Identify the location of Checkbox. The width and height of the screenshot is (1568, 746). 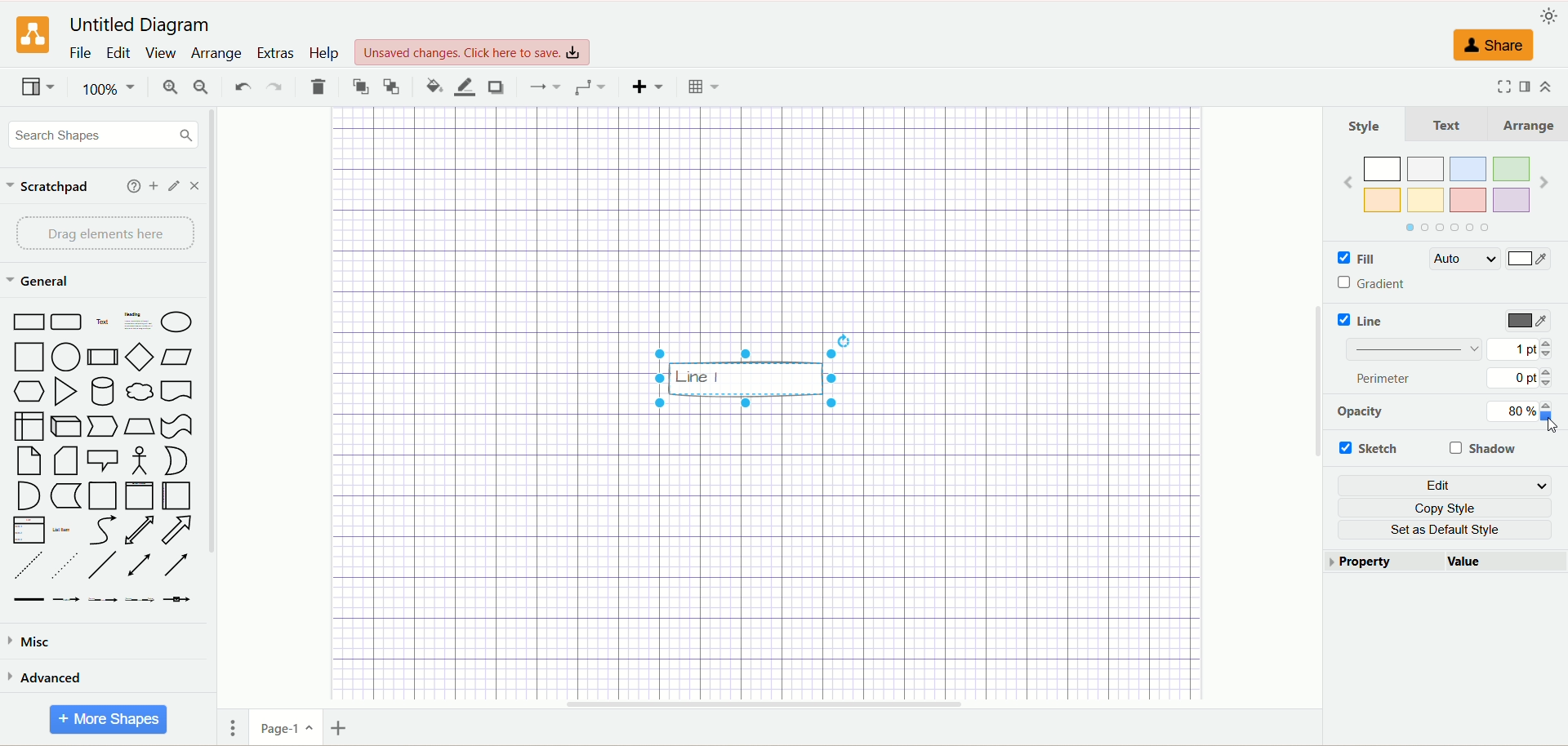
(1339, 260).